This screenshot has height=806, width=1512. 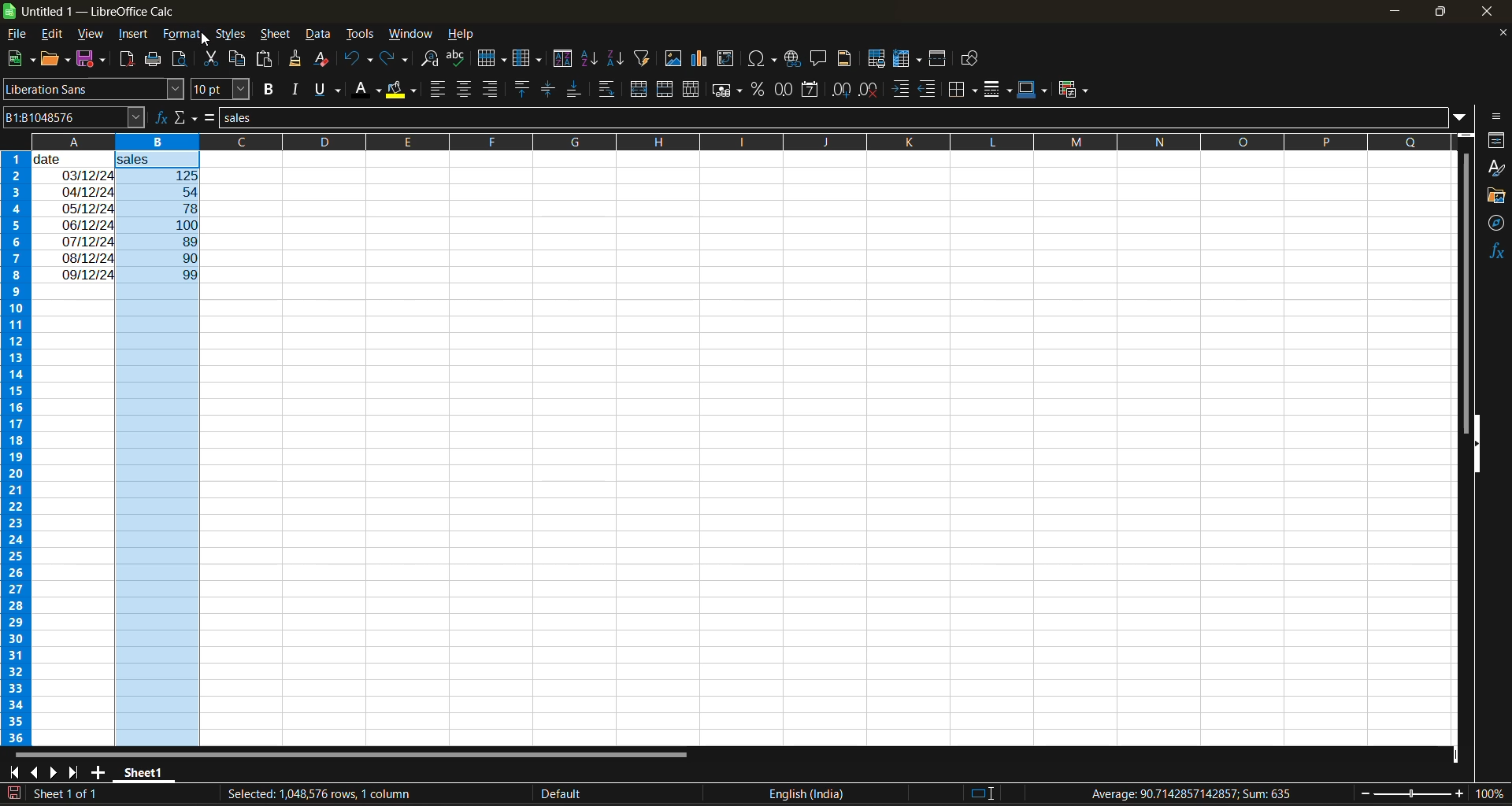 What do you see at coordinates (880, 60) in the screenshot?
I see `define print area` at bounding box center [880, 60].